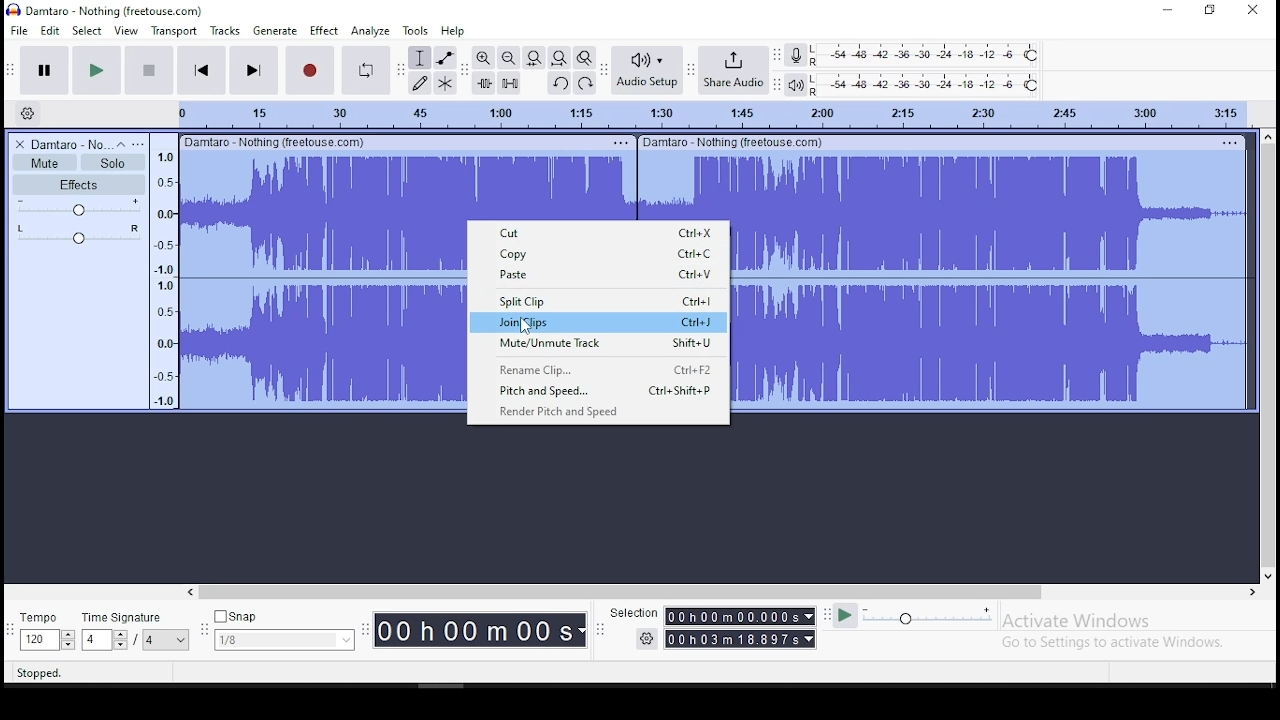 The width and height of the screenshot is (1280, 720). Describe the element at coordinates (535, 56) in the screenshot. I see `fit project to width` at that location.